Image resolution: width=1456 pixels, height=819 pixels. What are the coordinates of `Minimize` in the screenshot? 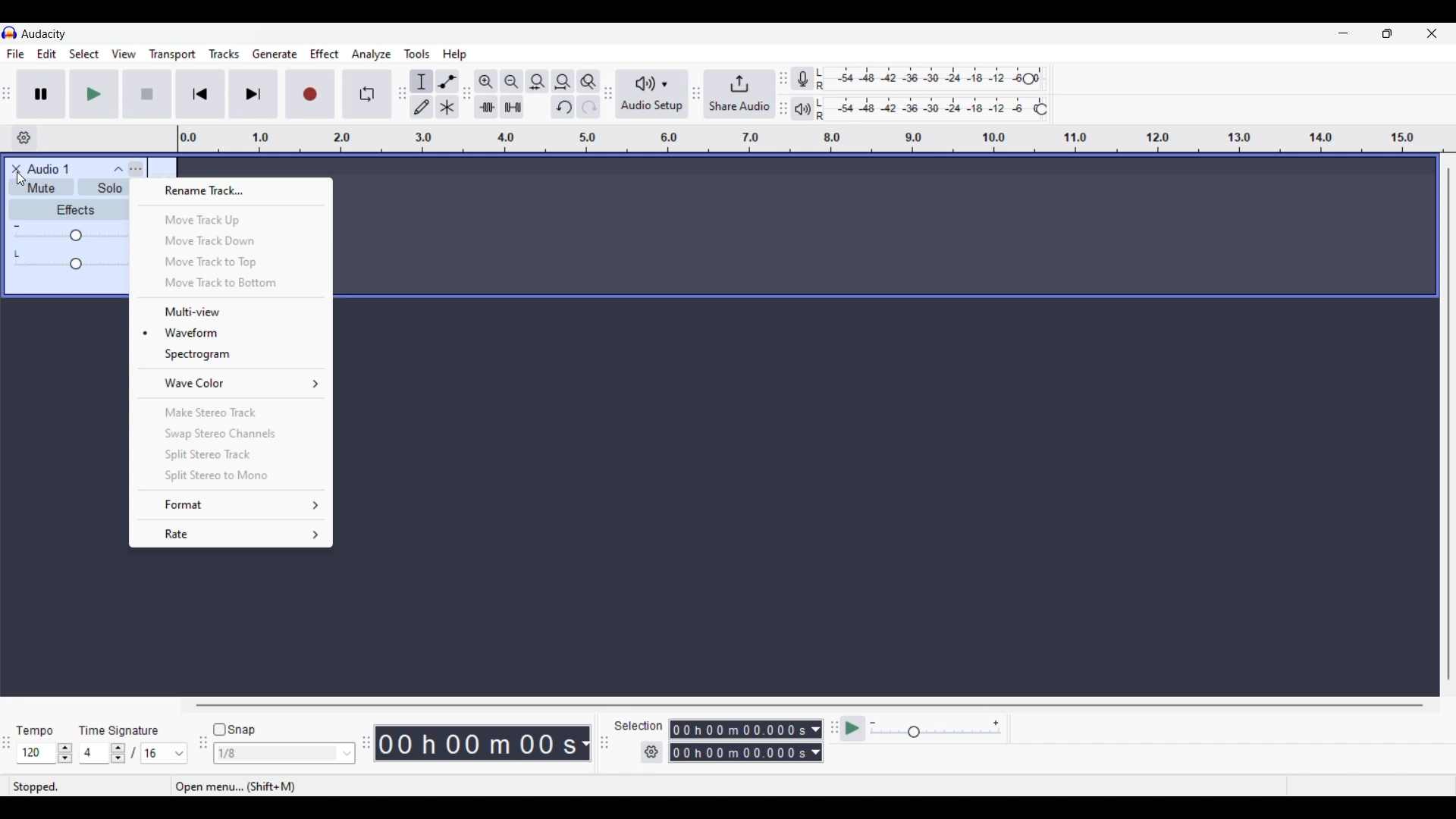 It's located at (1343, 33).